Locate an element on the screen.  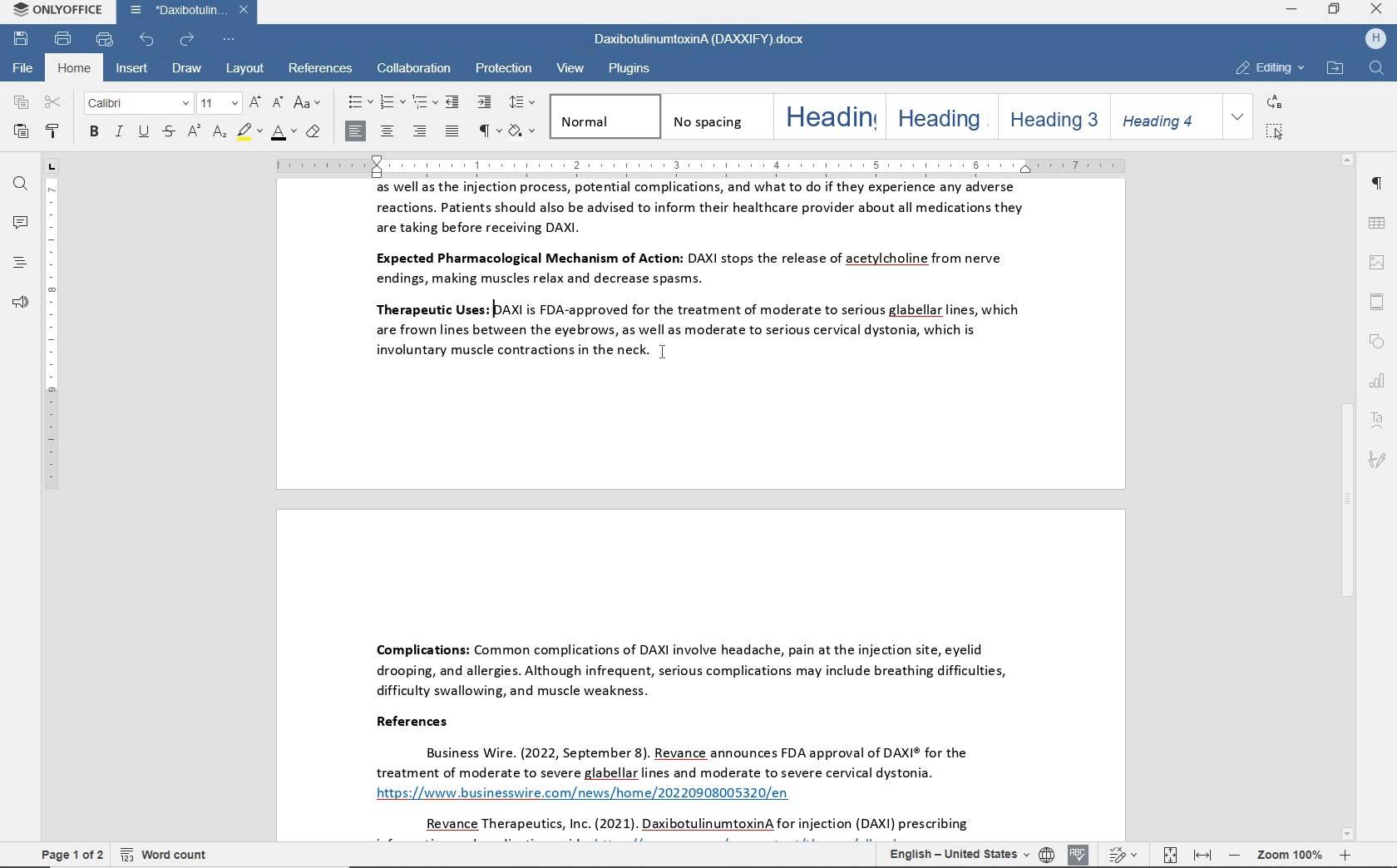
hp is located at coordinates (1372, 40).